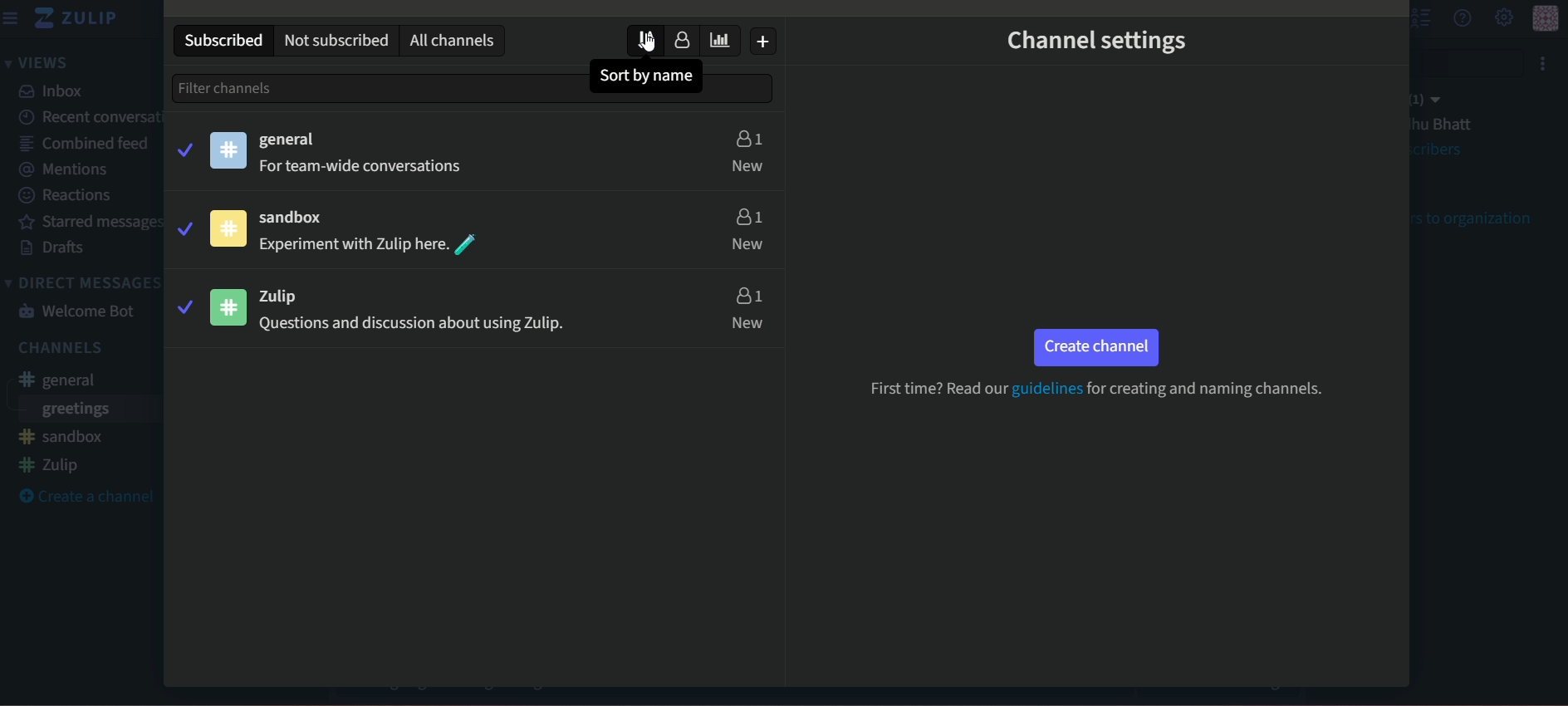 The image size is (1568, 706). What do you see at coordinates (412, 325) in the screenshot?
I see `text` at bounding box center [412, 325].